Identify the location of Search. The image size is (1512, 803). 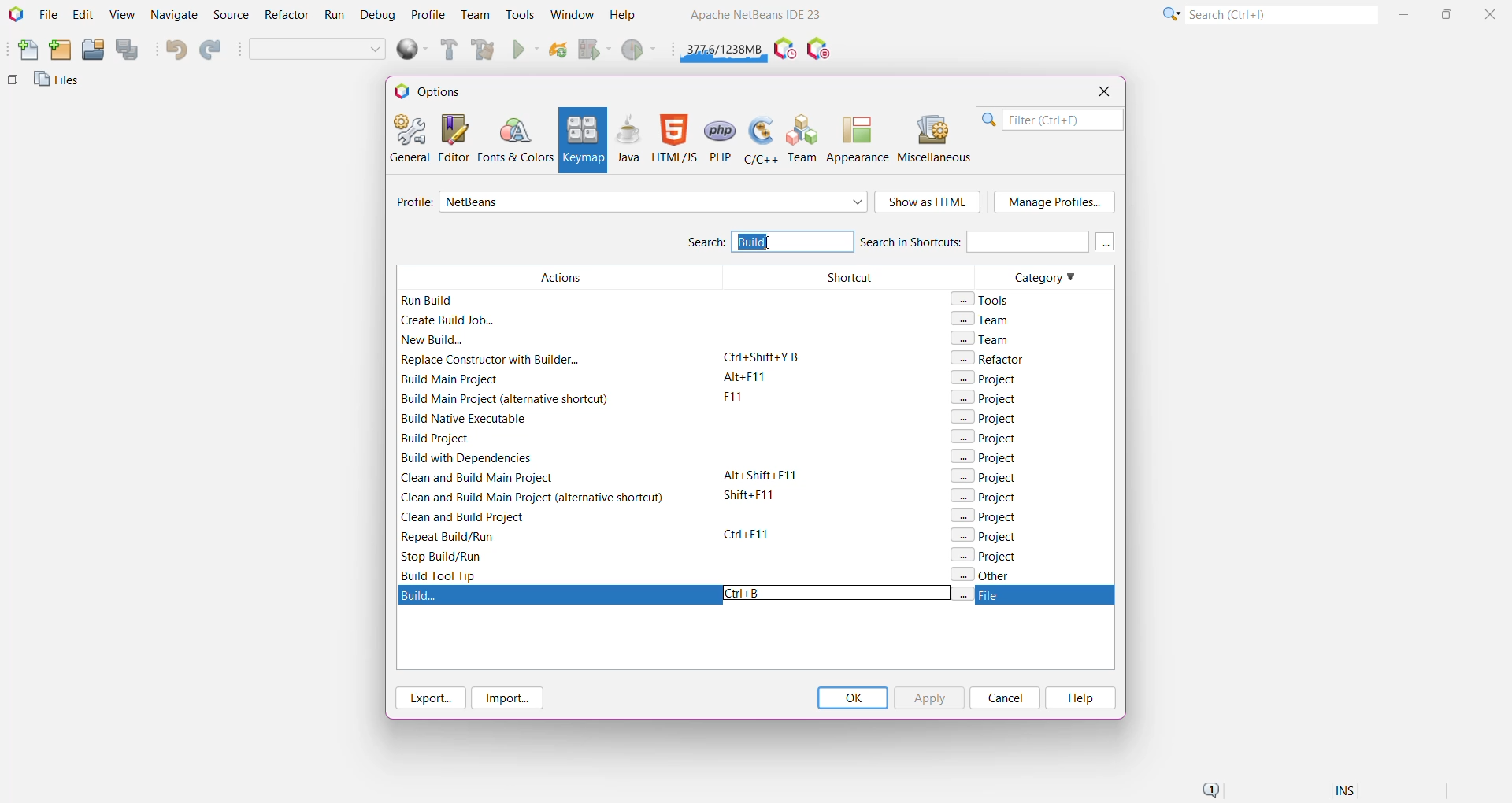
(705, 244).